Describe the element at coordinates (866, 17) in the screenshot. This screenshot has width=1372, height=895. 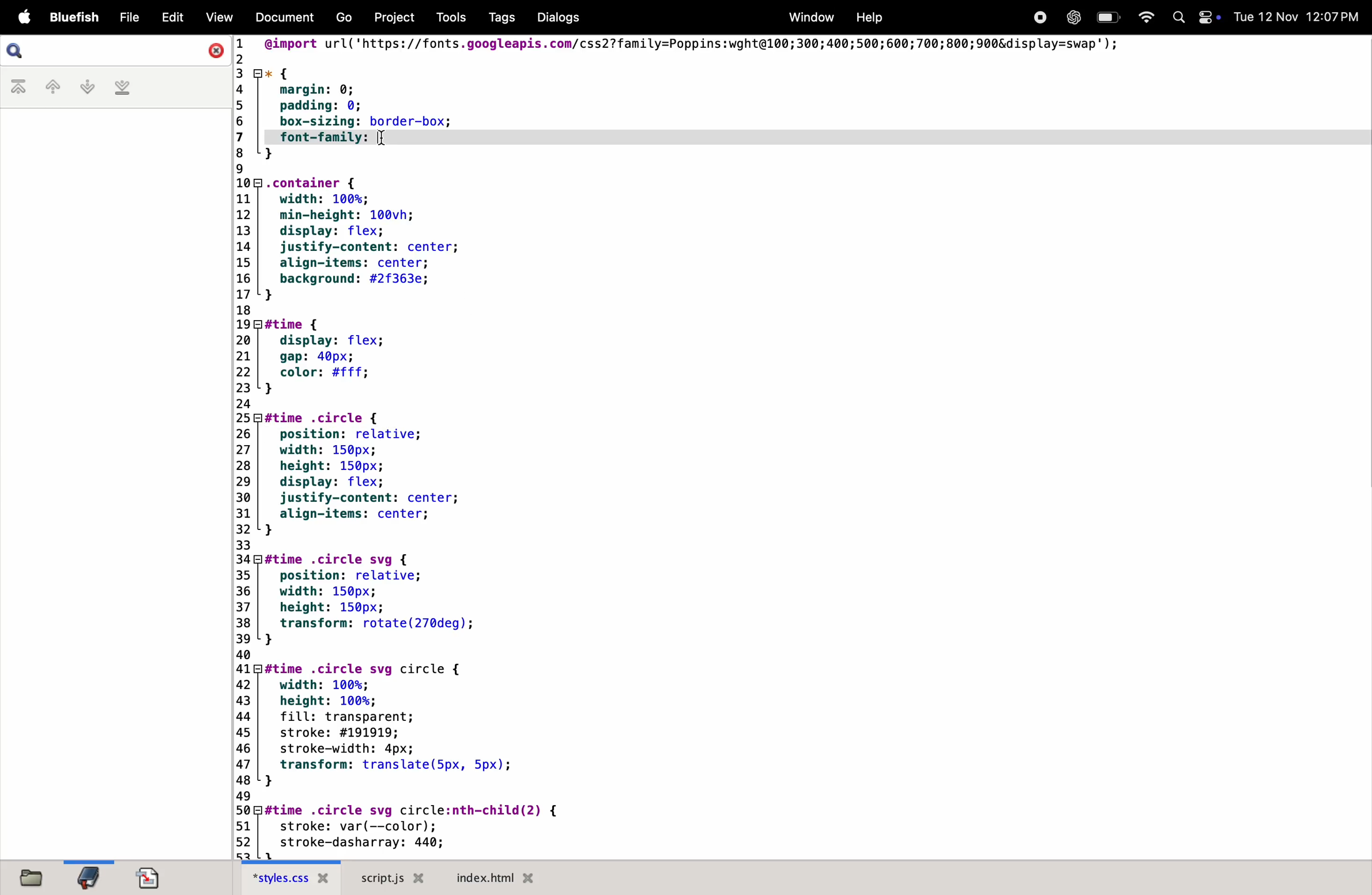
I see `help` at that location.